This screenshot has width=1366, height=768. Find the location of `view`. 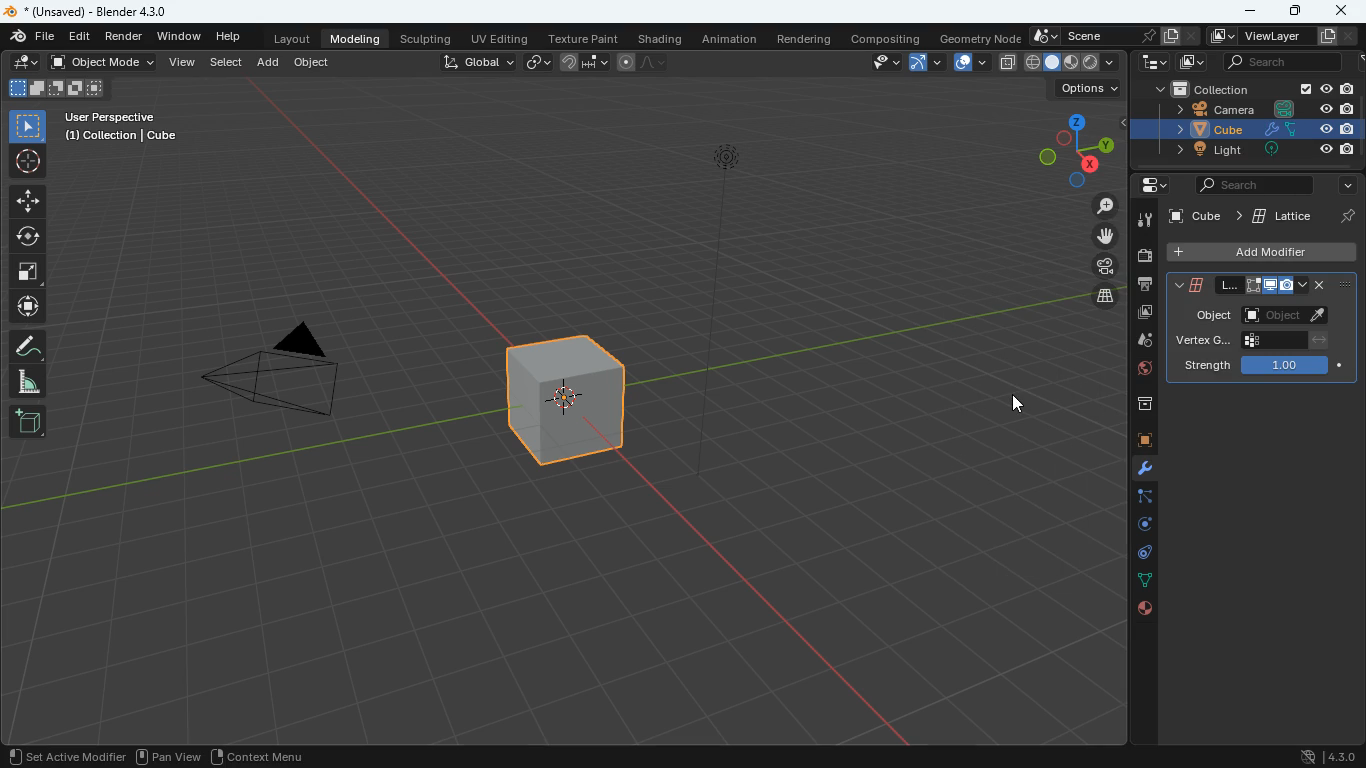

view is located at coordinates (180, 63).